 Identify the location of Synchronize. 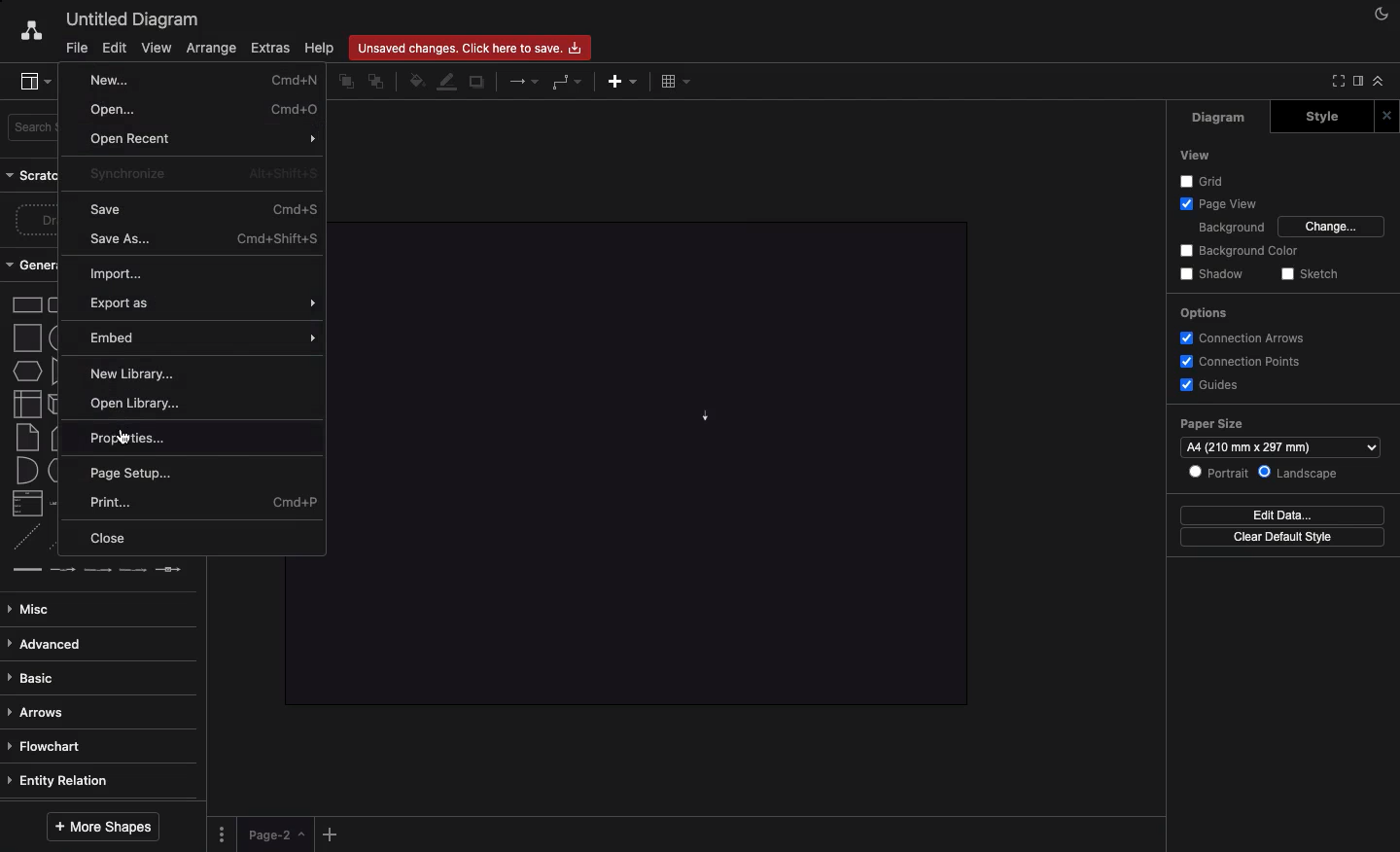
(202, 173).